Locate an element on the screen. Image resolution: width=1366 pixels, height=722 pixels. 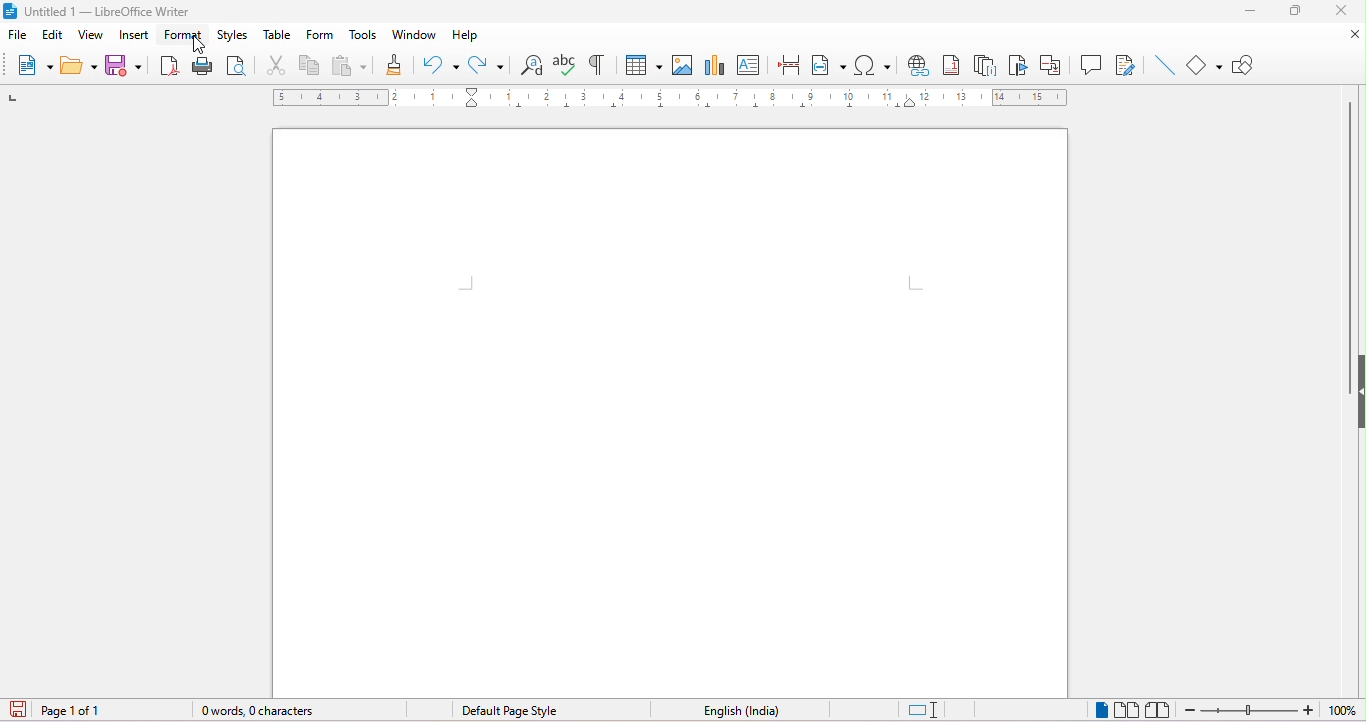
find and replace is located at coordinates (532, 63).